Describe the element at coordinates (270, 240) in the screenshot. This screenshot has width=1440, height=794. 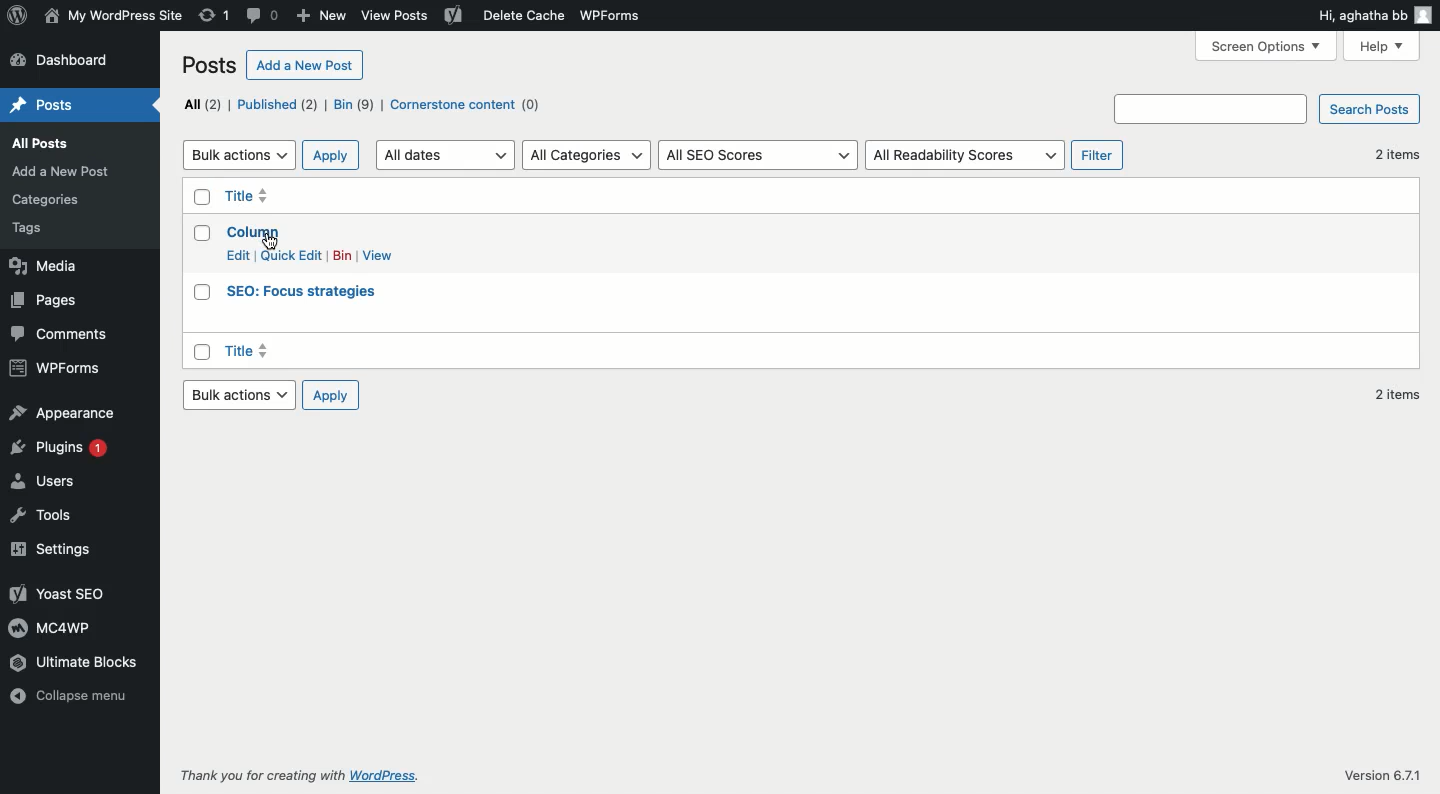
I see `` at that location.